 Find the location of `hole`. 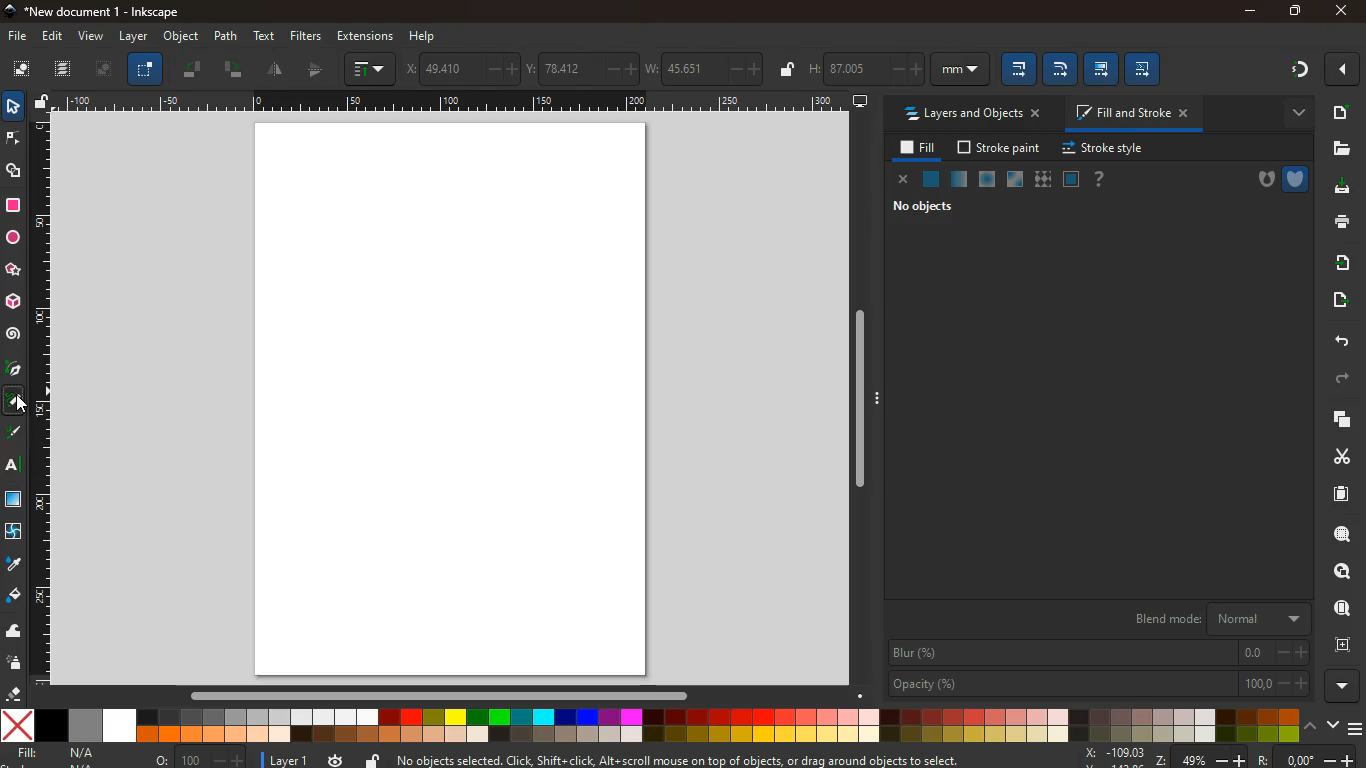

hole is located at coordinates (1260, 182).